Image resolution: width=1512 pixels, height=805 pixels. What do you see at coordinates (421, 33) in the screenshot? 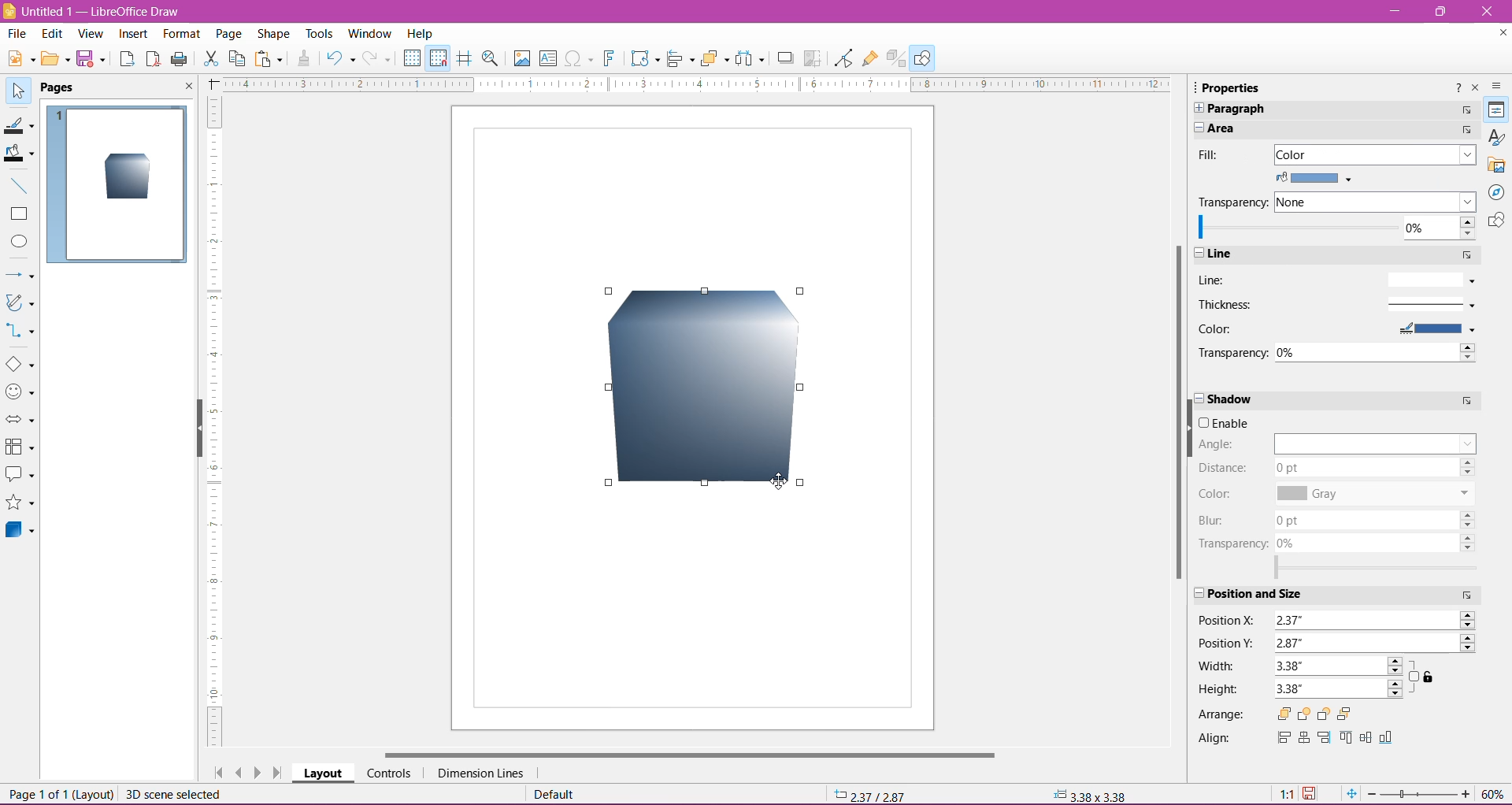
I see `Help` at bounding box center [421, 33].